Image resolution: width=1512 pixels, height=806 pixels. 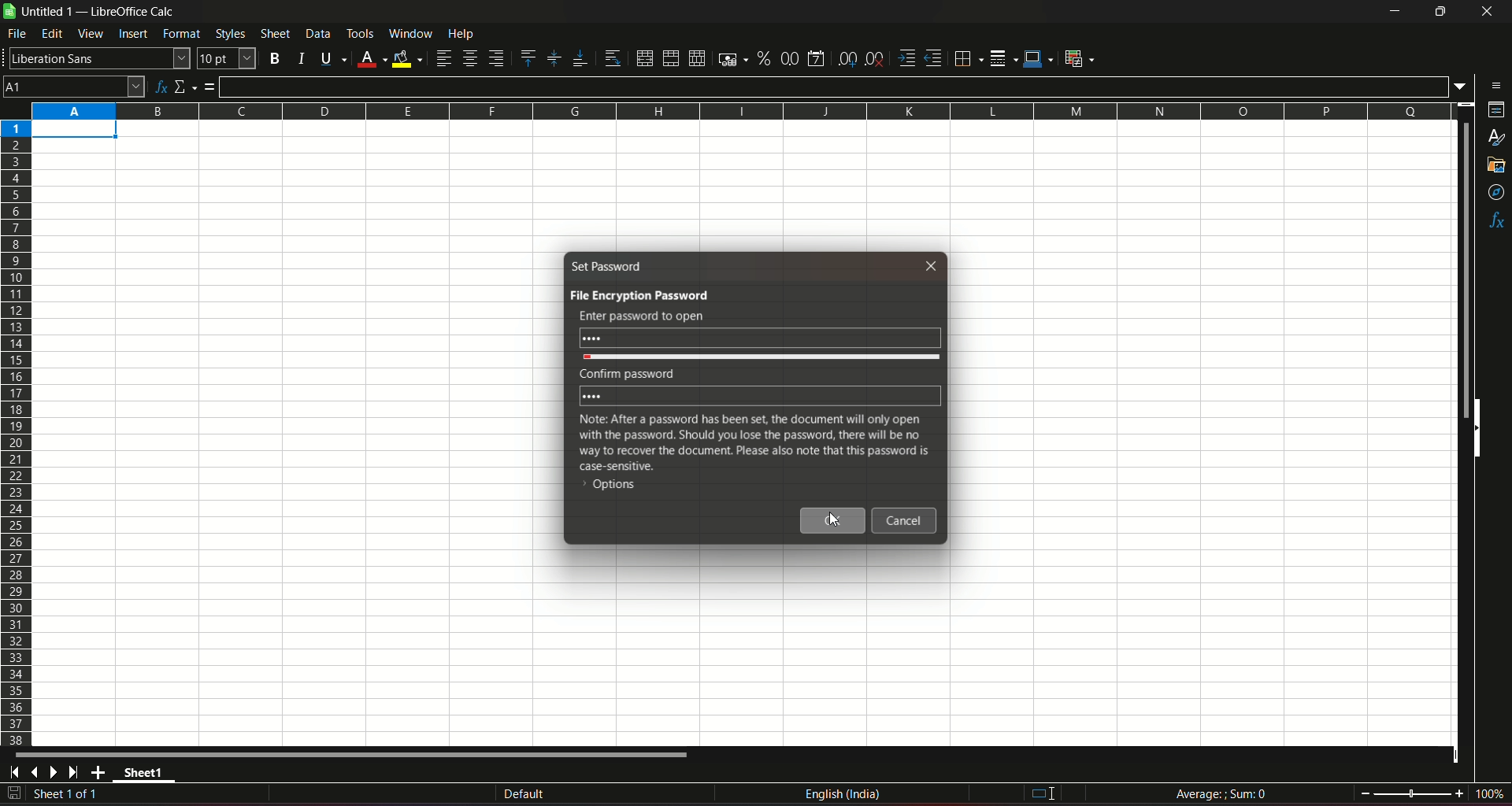 What do you see at coordinates (317, 34) in the screenshot?
I see `data` at bounding box center [317, 34].